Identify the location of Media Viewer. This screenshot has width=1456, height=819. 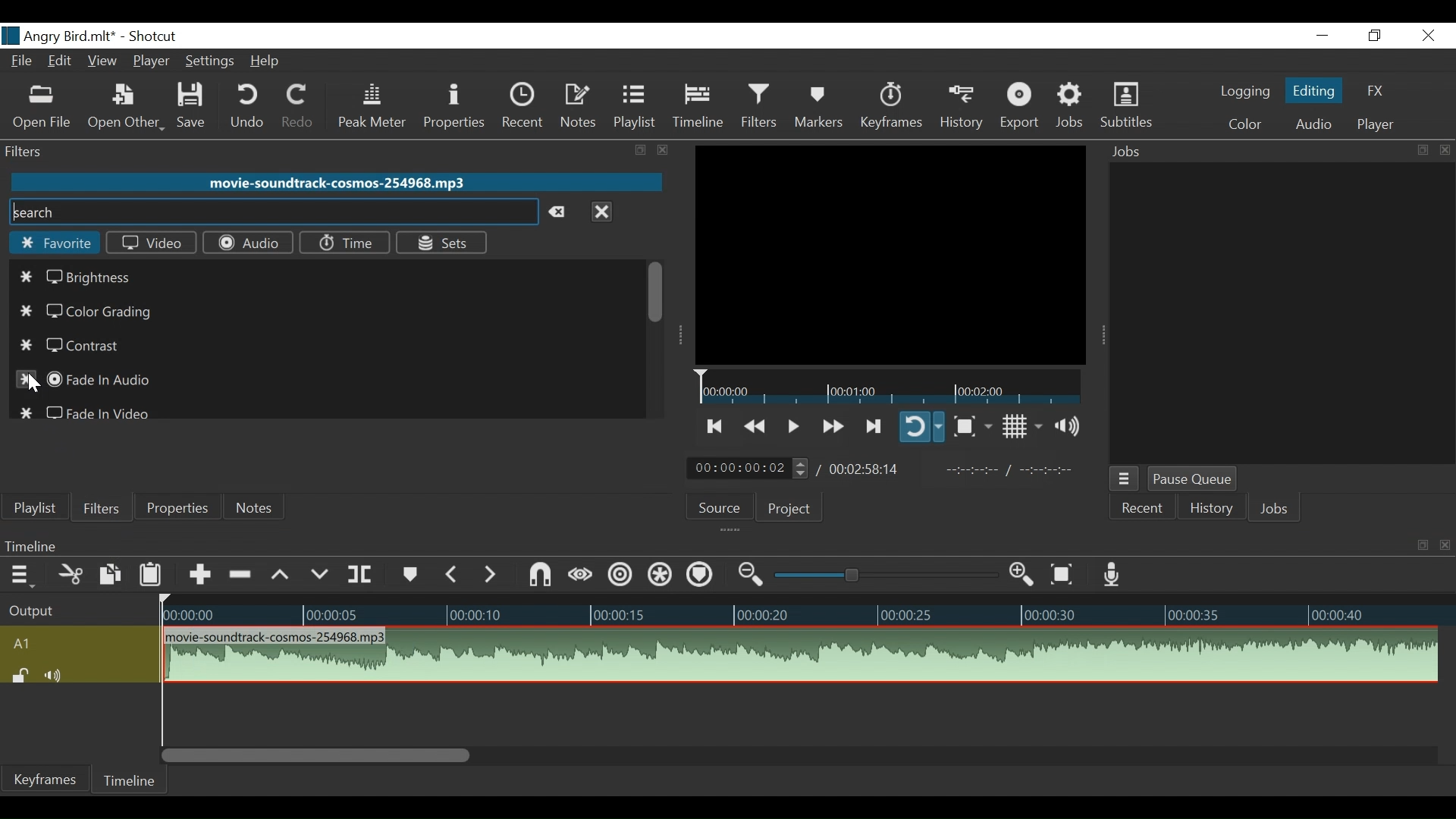
(890, 255).